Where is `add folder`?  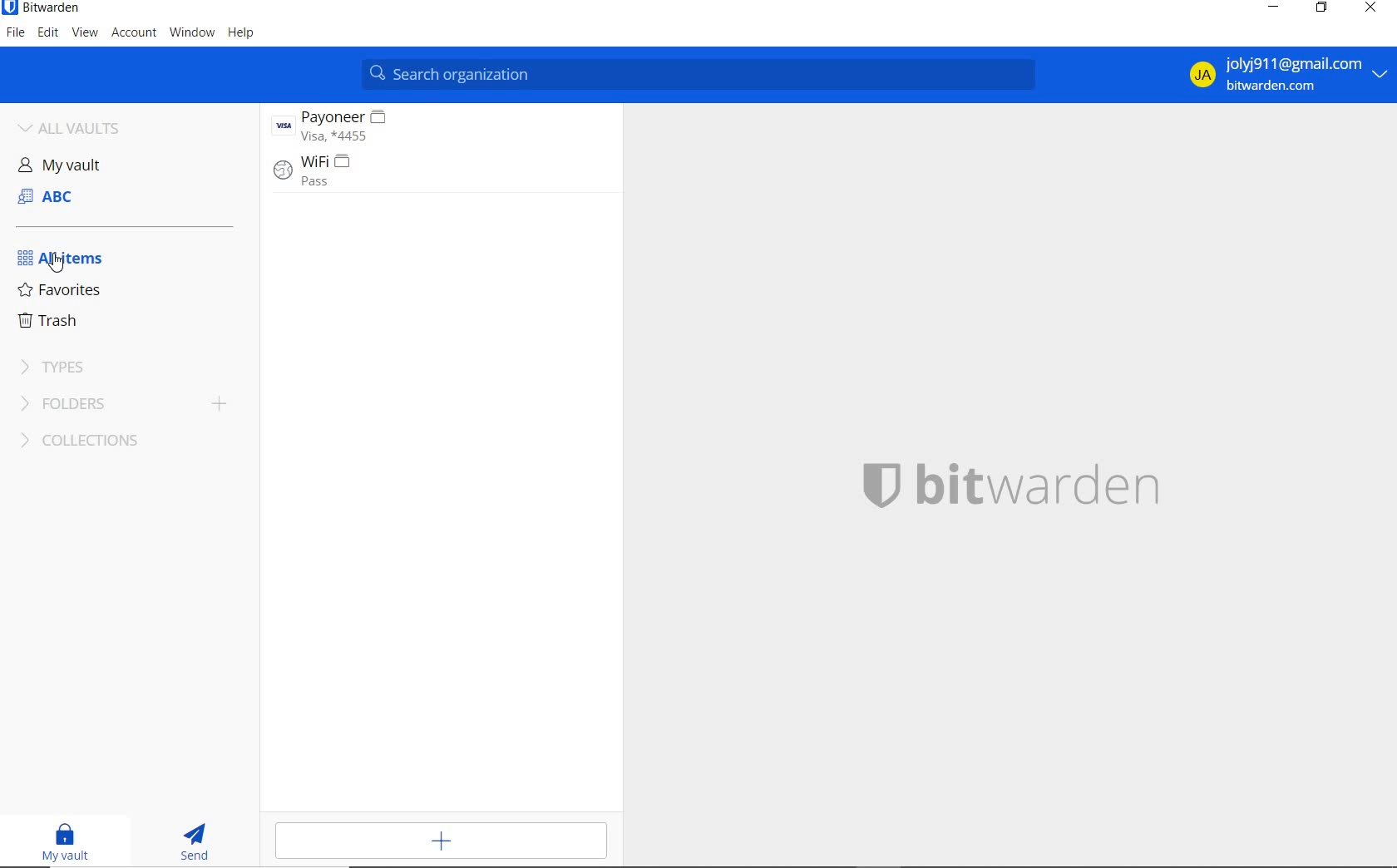
add folder is located at coordinates (225, 406).